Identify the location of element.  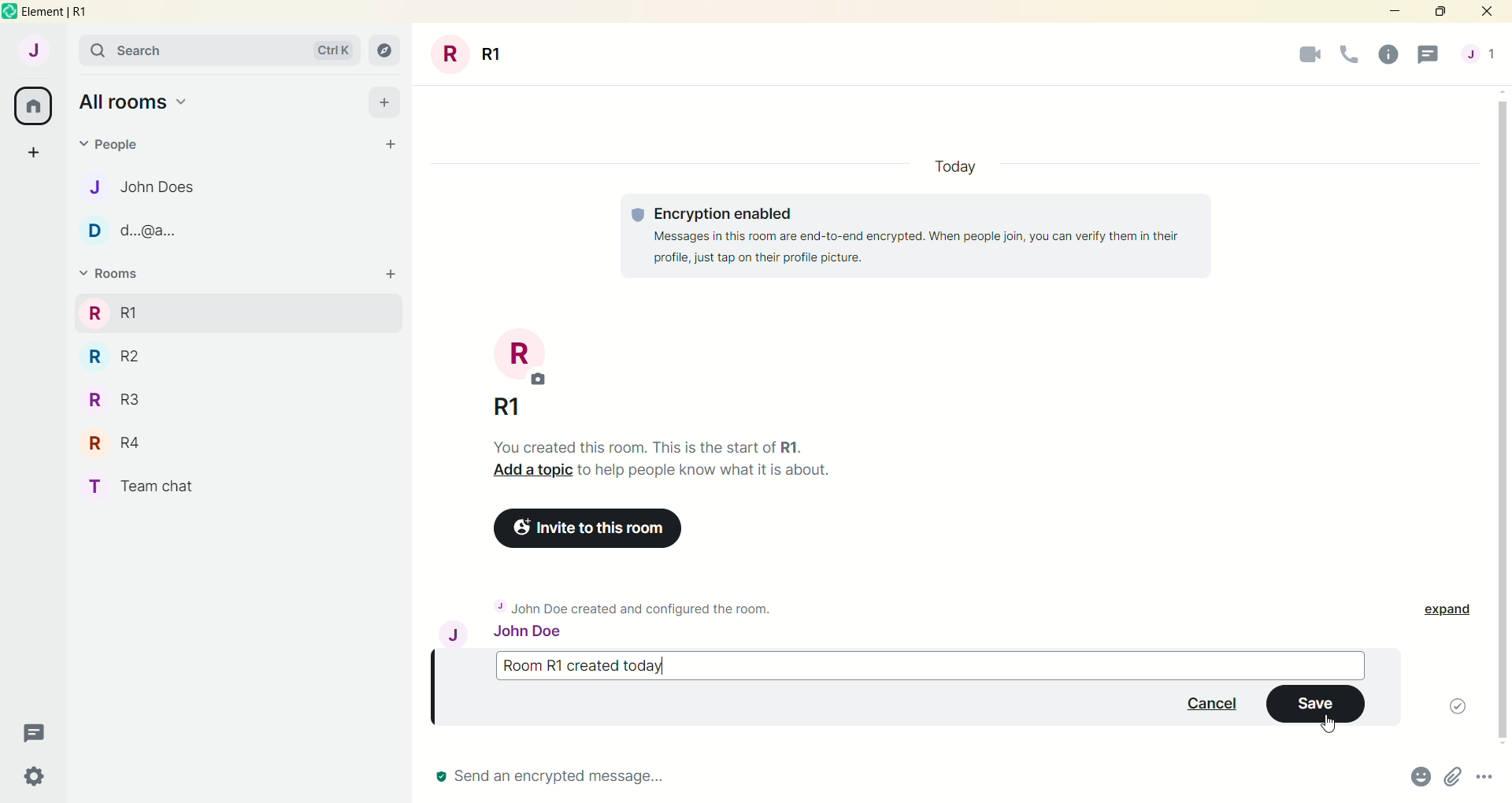
(69, 13).